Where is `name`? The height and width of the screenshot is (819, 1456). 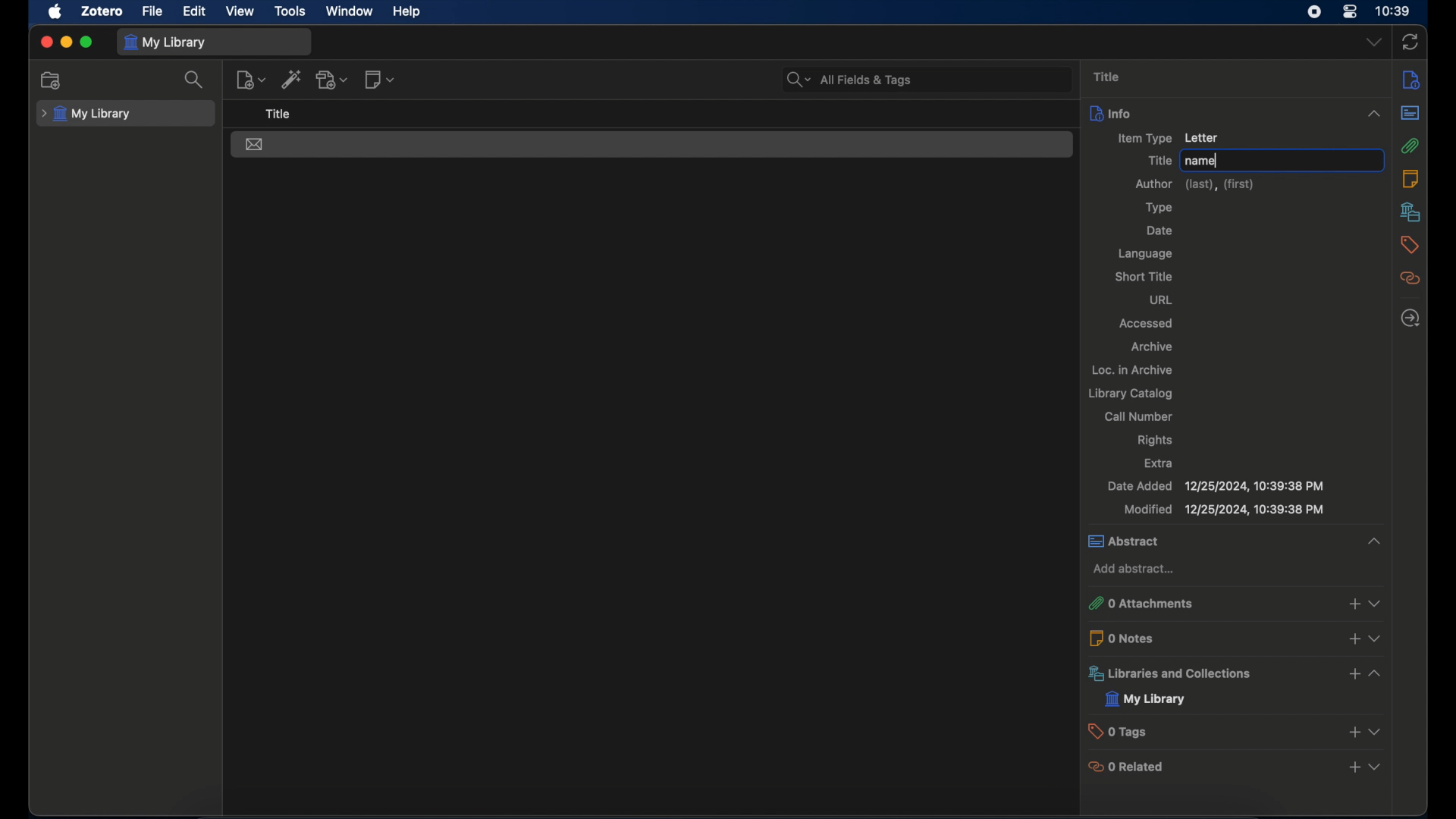 name is located at coordinates (1207, 159).